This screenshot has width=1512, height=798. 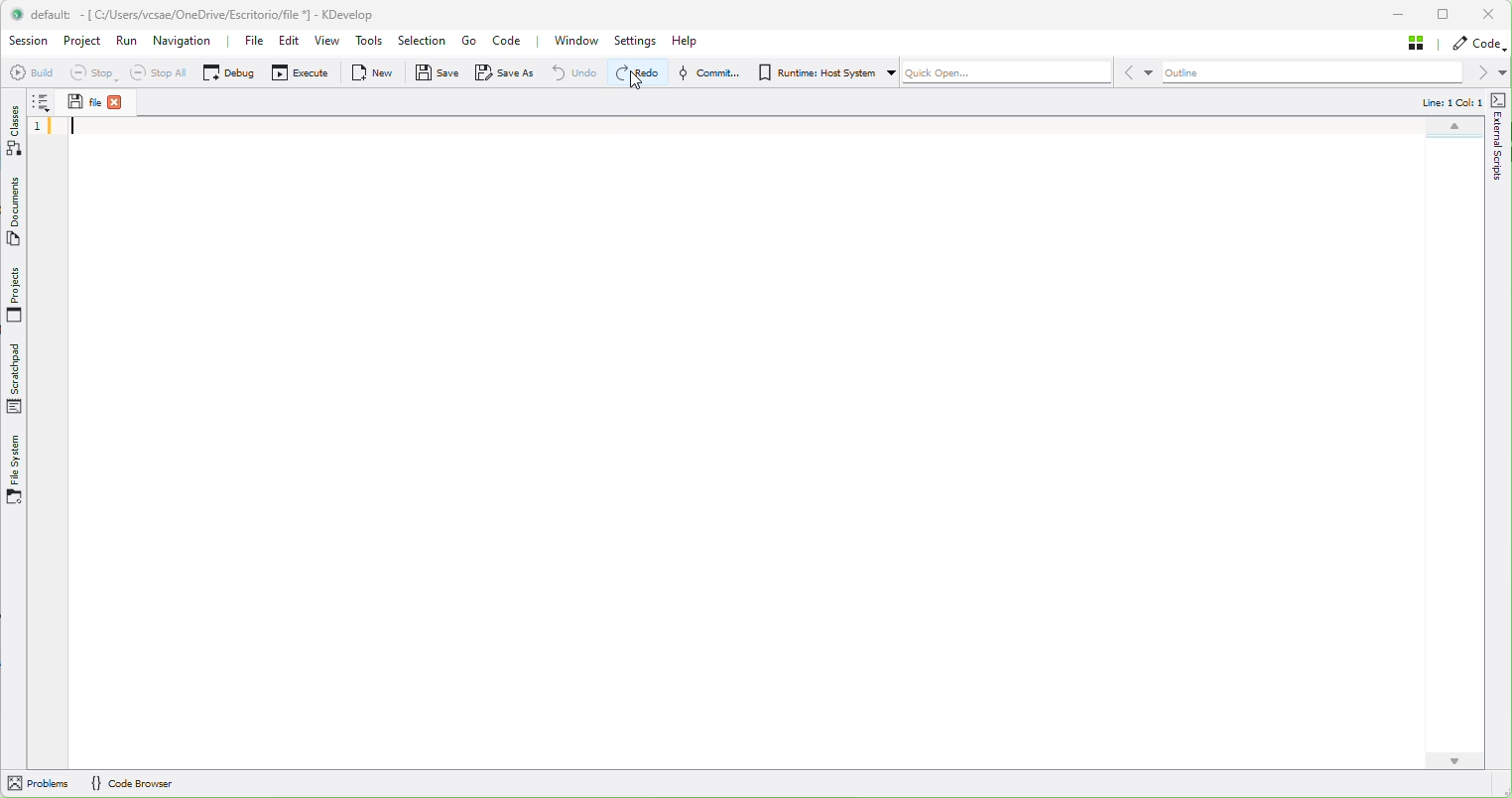 I want to click on Quickopen  , so click(x=998, y=74).